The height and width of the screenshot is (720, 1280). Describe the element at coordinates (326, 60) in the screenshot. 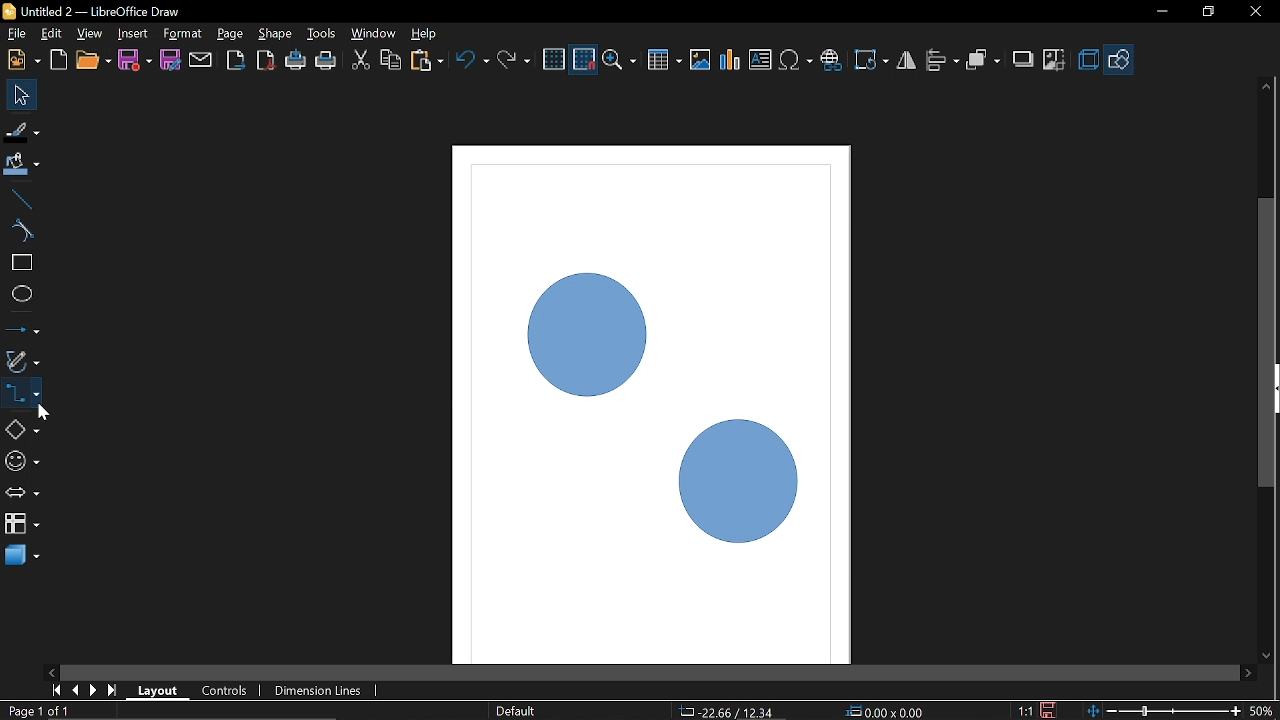

I see `Print` at that location.